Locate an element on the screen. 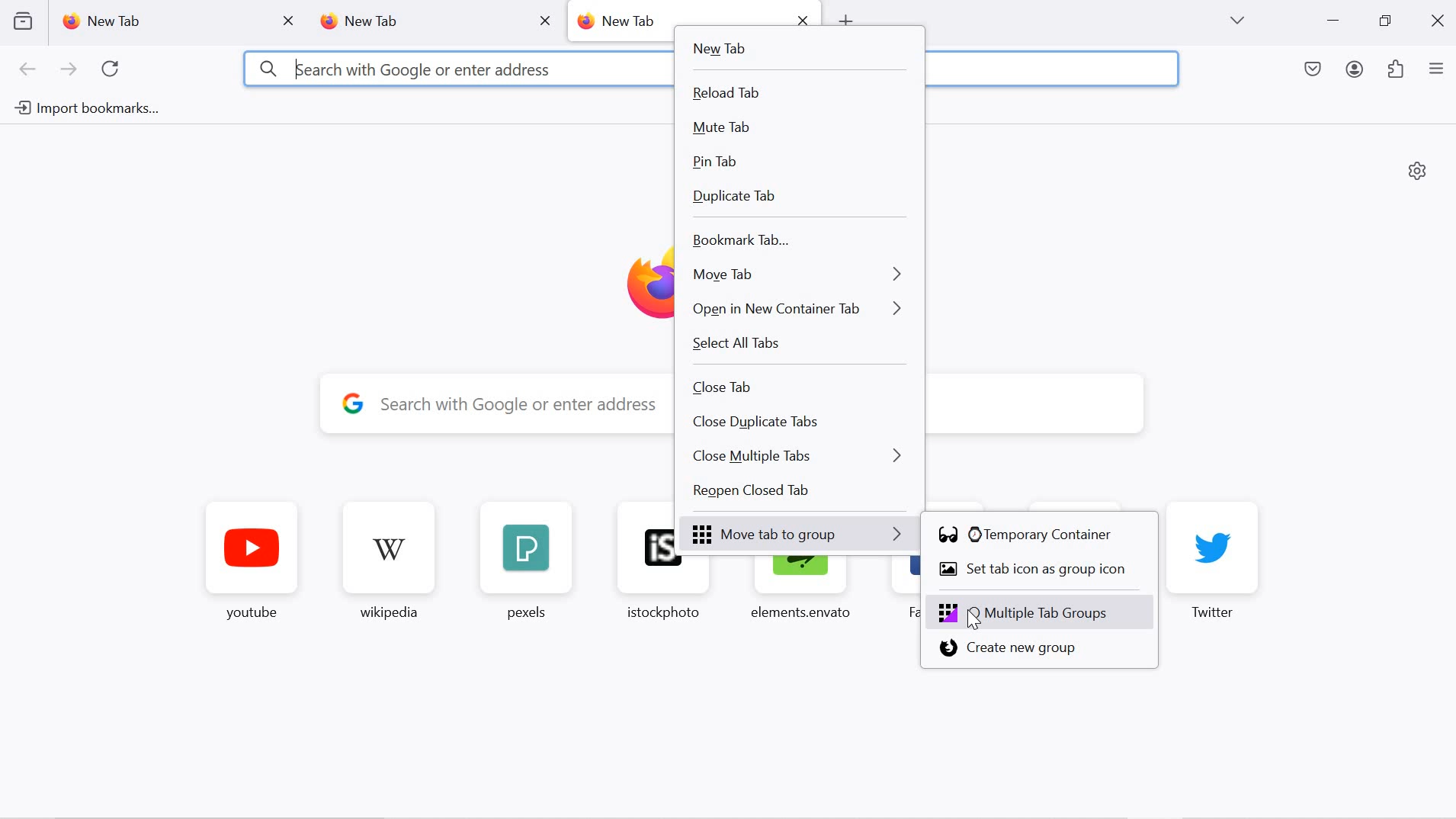  reopen closed tab is located at coordinates (799, 493).